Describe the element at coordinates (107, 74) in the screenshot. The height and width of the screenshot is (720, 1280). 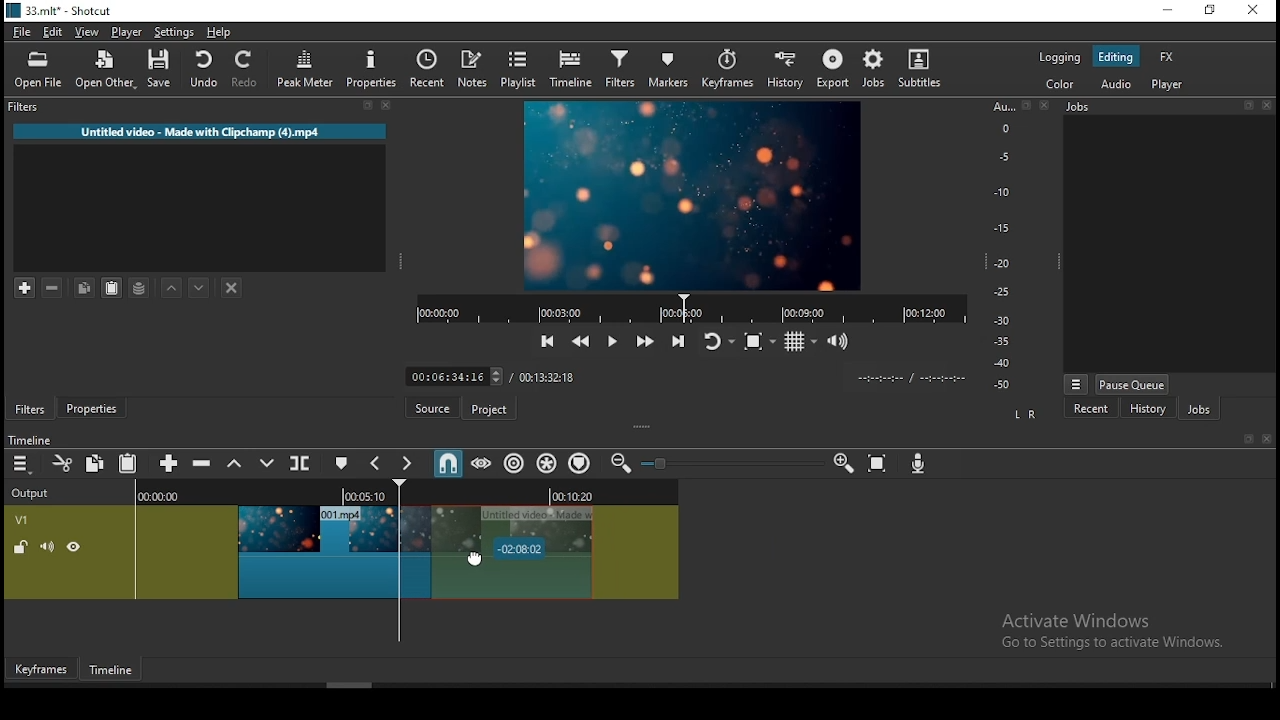
I see `open other` at that location.